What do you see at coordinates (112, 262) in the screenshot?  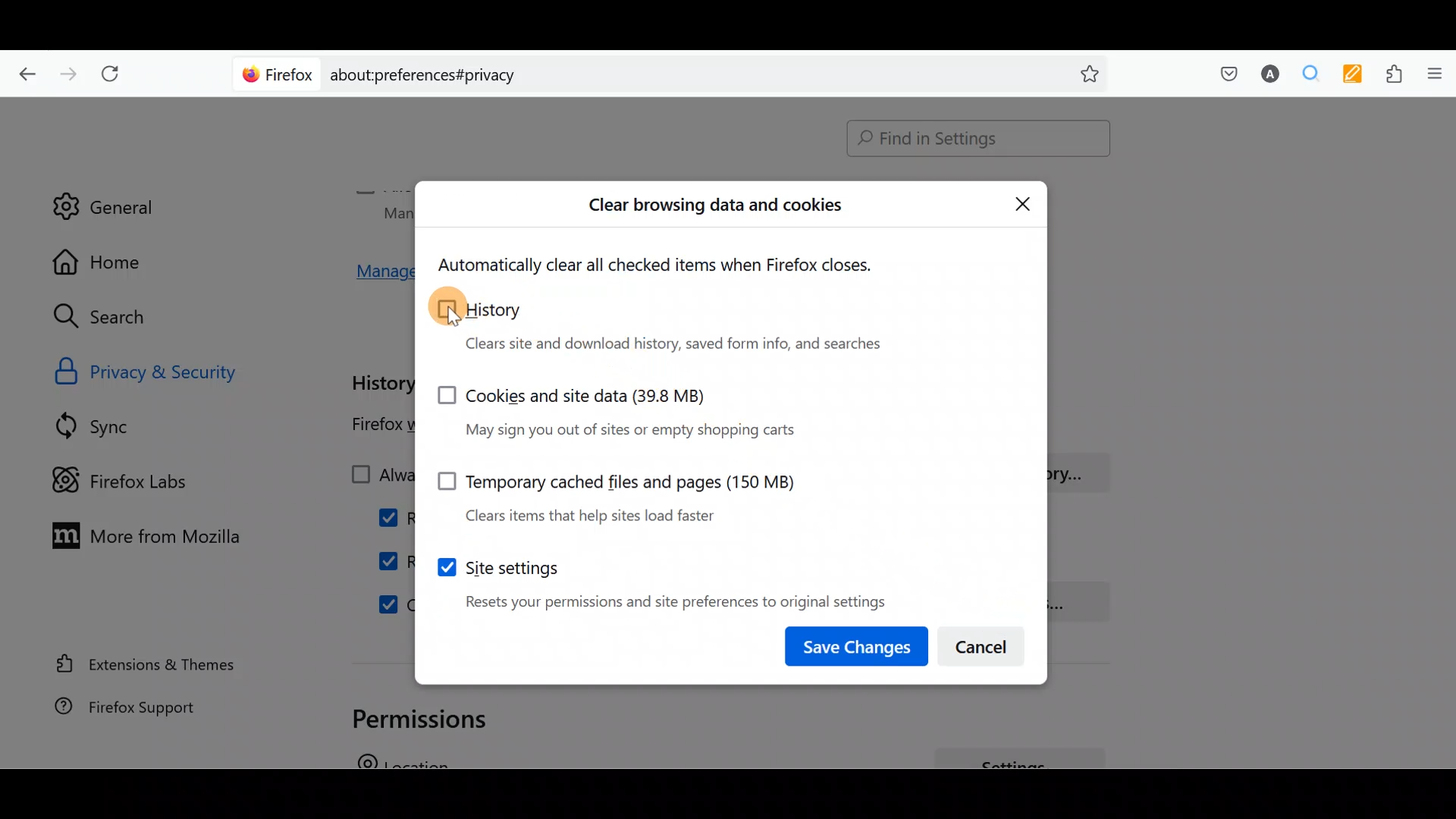 I see `Home` at bounding box center [112, 262].